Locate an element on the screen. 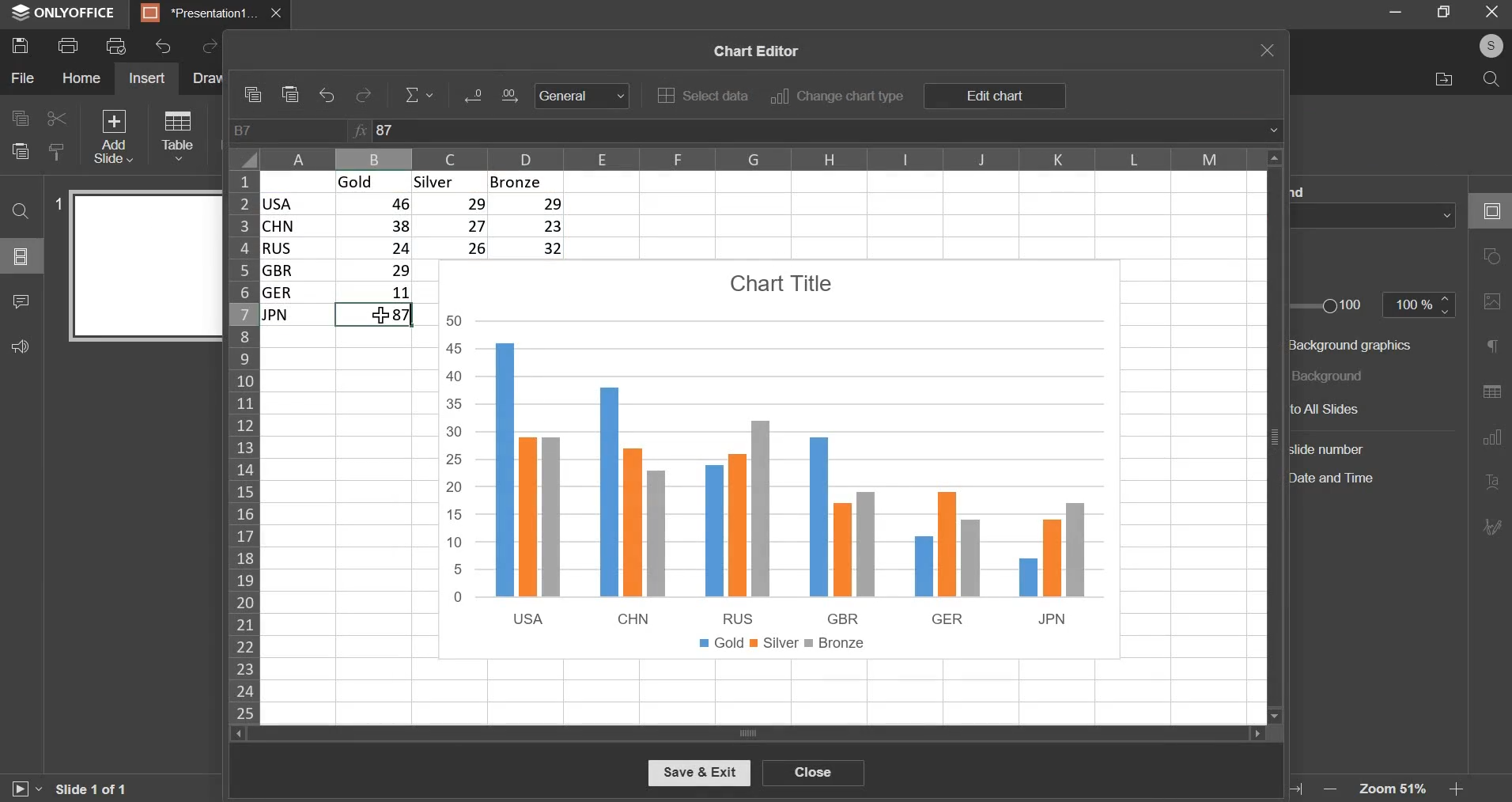  horizontal slider is located at coordinates (747, 733).